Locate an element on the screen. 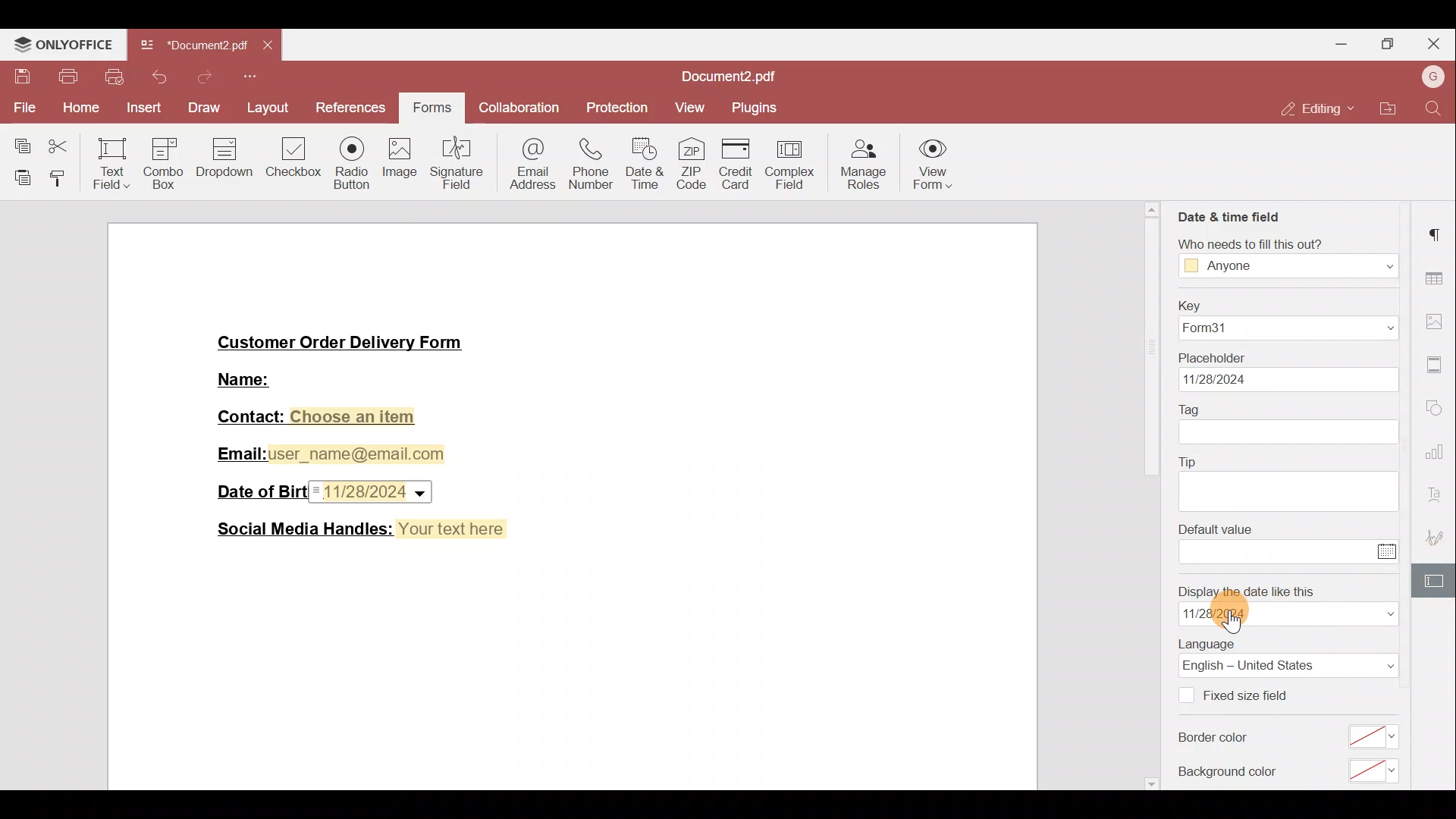 The height and width of the screenshot is (819, 1456). Redo is located at coordinates (199, 81).